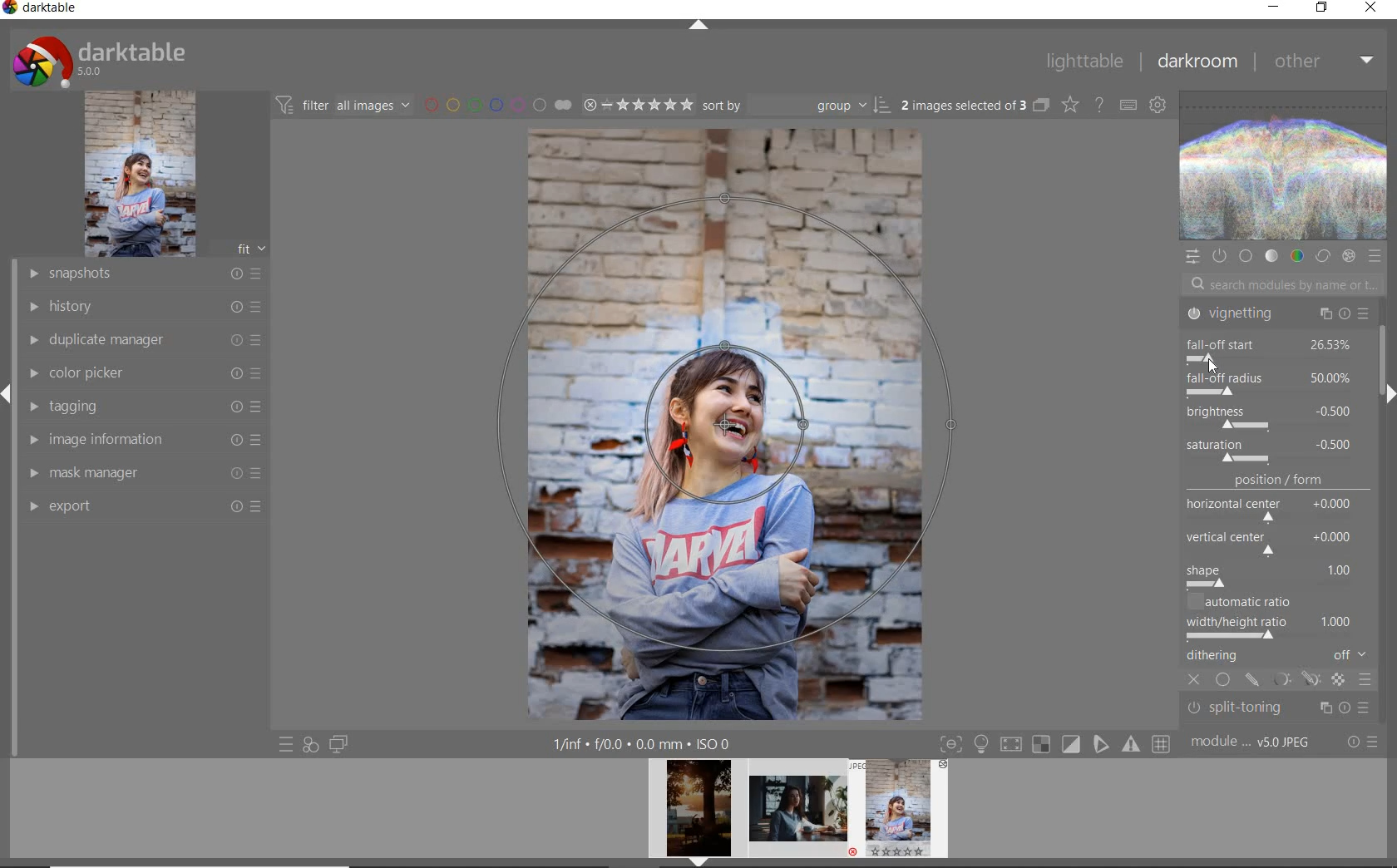 Image resolution: width=1397 pixels, height=868 pixels. I want to click on display a second darkroom image window, so click(339, 744).